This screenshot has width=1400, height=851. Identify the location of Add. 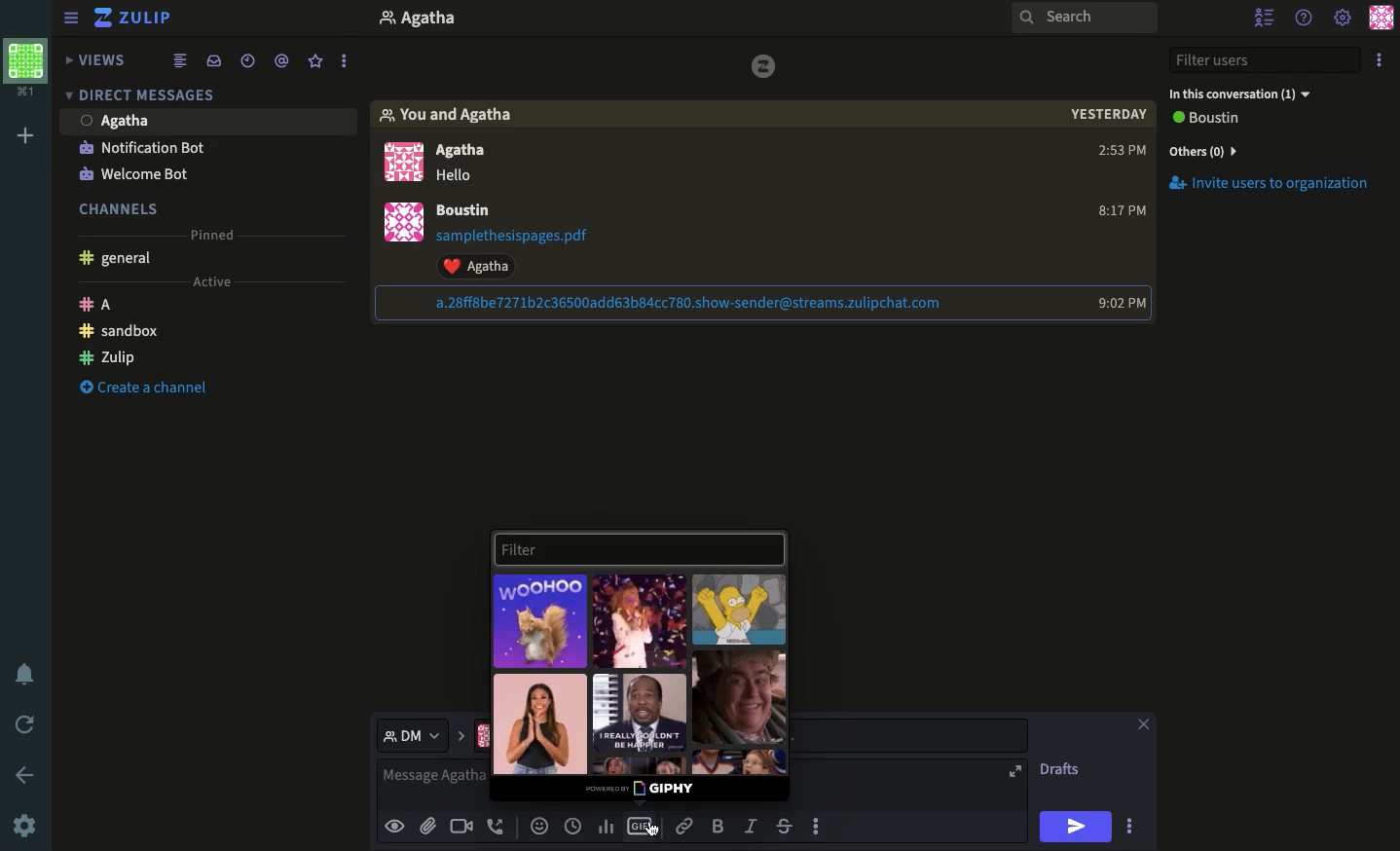
(25, 137).